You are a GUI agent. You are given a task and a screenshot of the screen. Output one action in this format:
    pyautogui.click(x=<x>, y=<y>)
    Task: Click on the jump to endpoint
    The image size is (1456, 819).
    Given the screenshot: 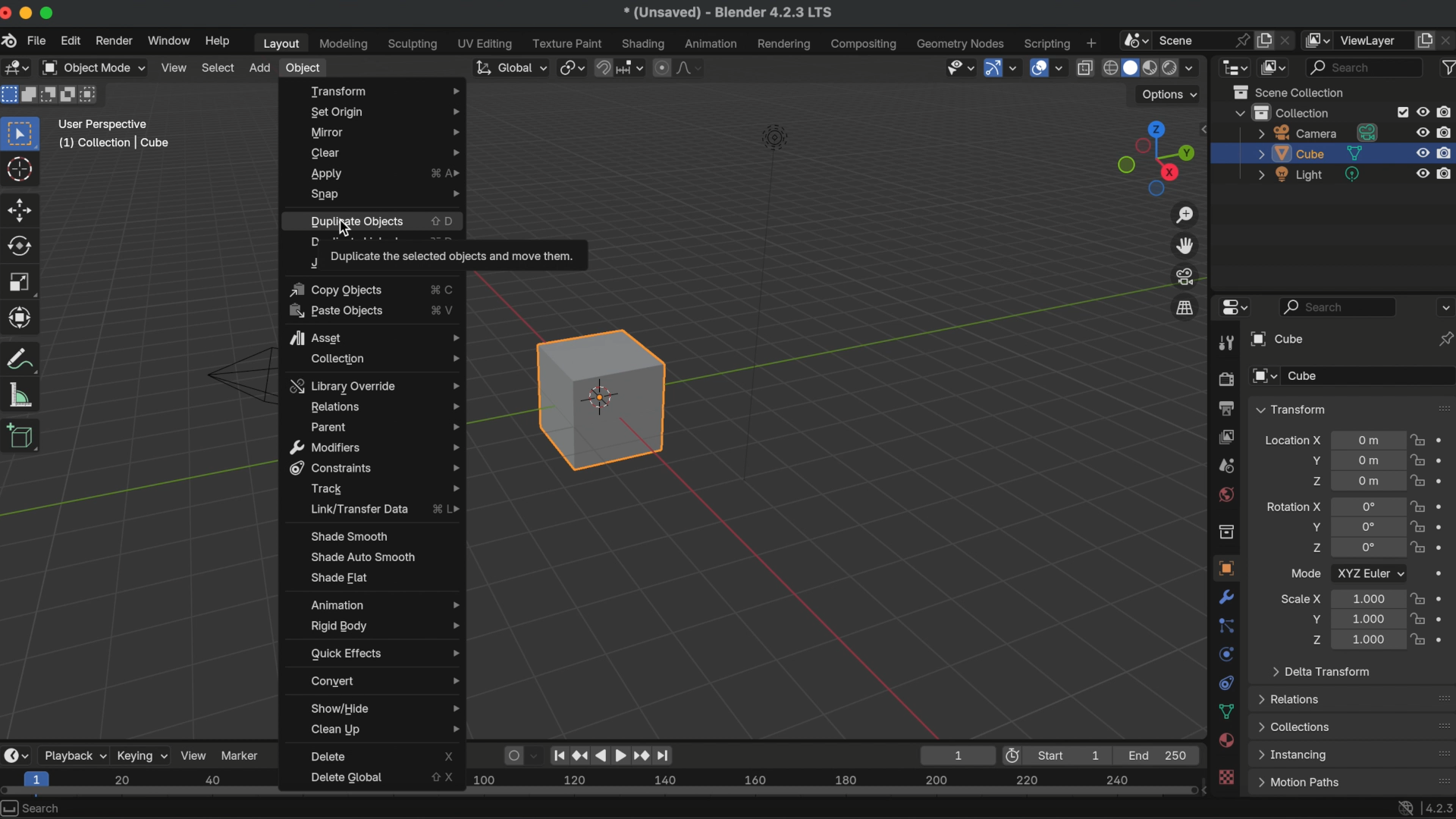 What is the action you would take?
    pyautogui.click(x=669, y=755)
    